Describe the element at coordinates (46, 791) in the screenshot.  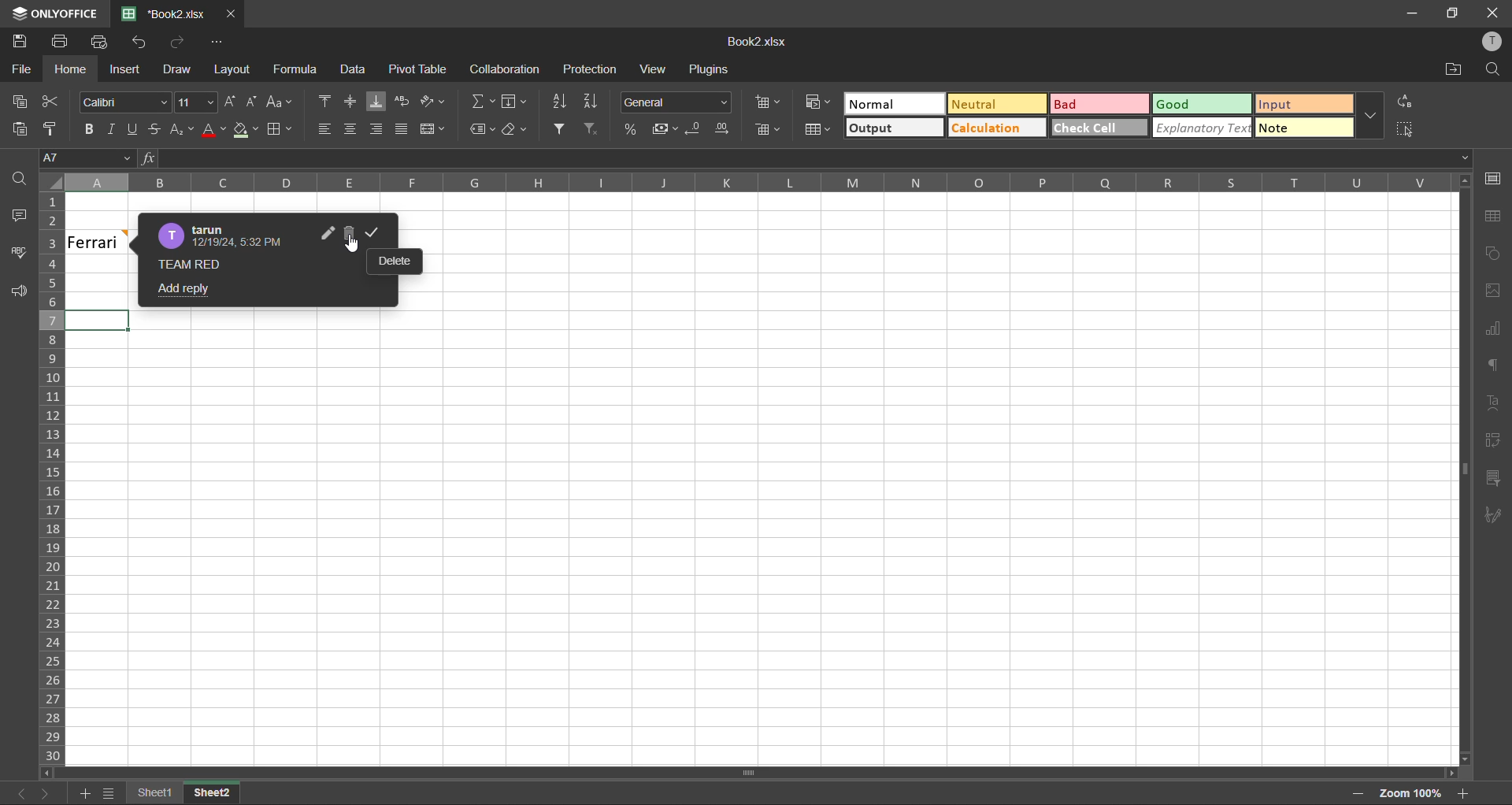
I see `next` at that location.